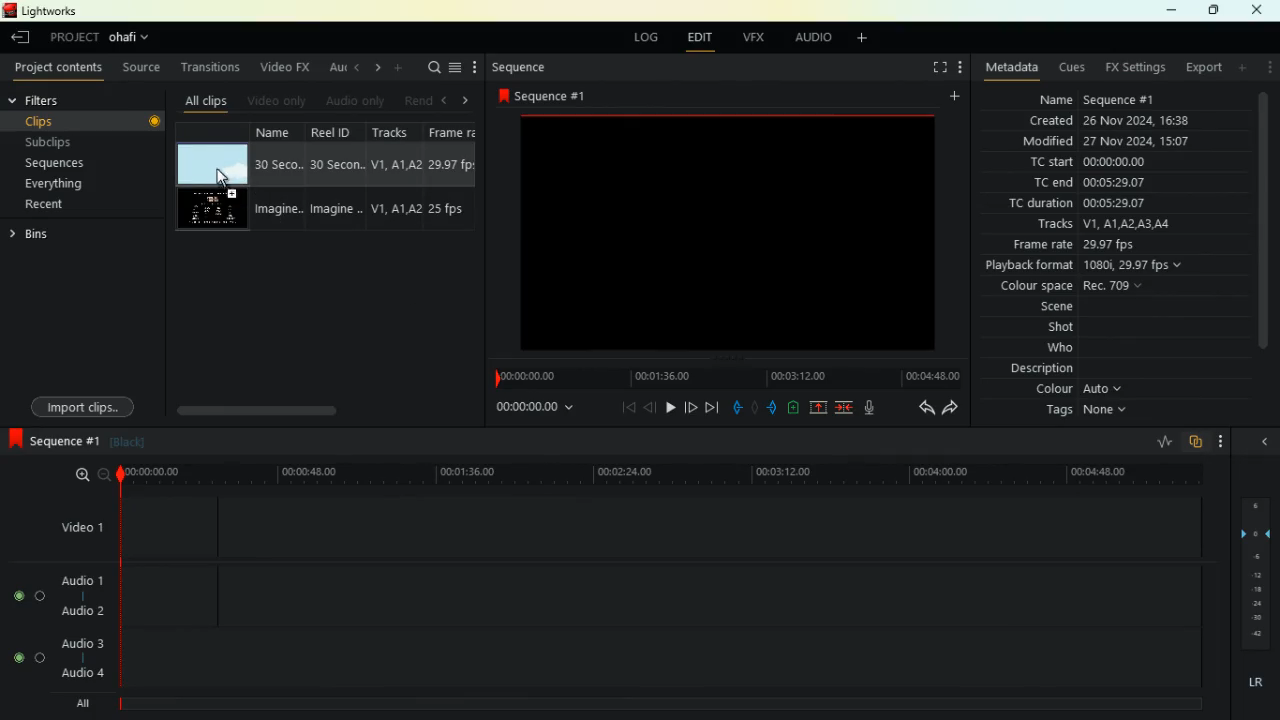  Describe the element at coordinates (736, 409) in the screenshot. I see `pull` at that location.